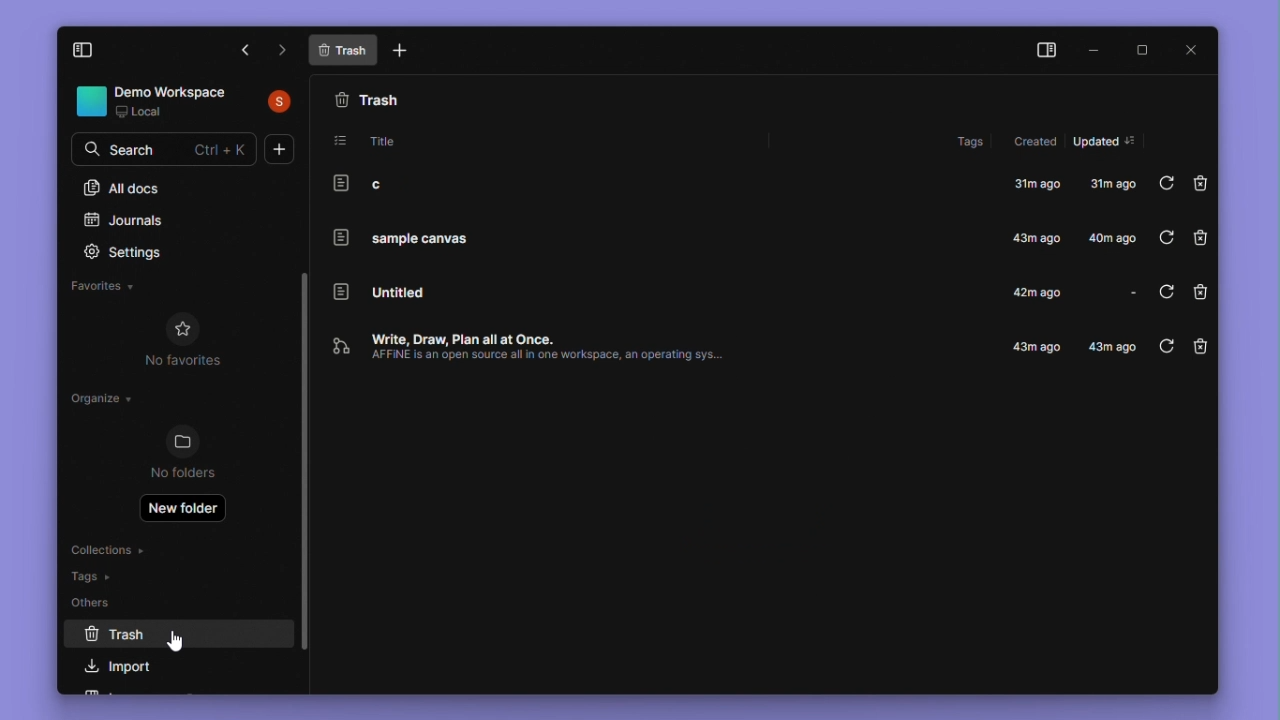 This screenshot has height=720, width=1280. What do you see at coordinates (1199, 239) in the screenshot?
I see `delete forever` at bounding box center [1199, 239].